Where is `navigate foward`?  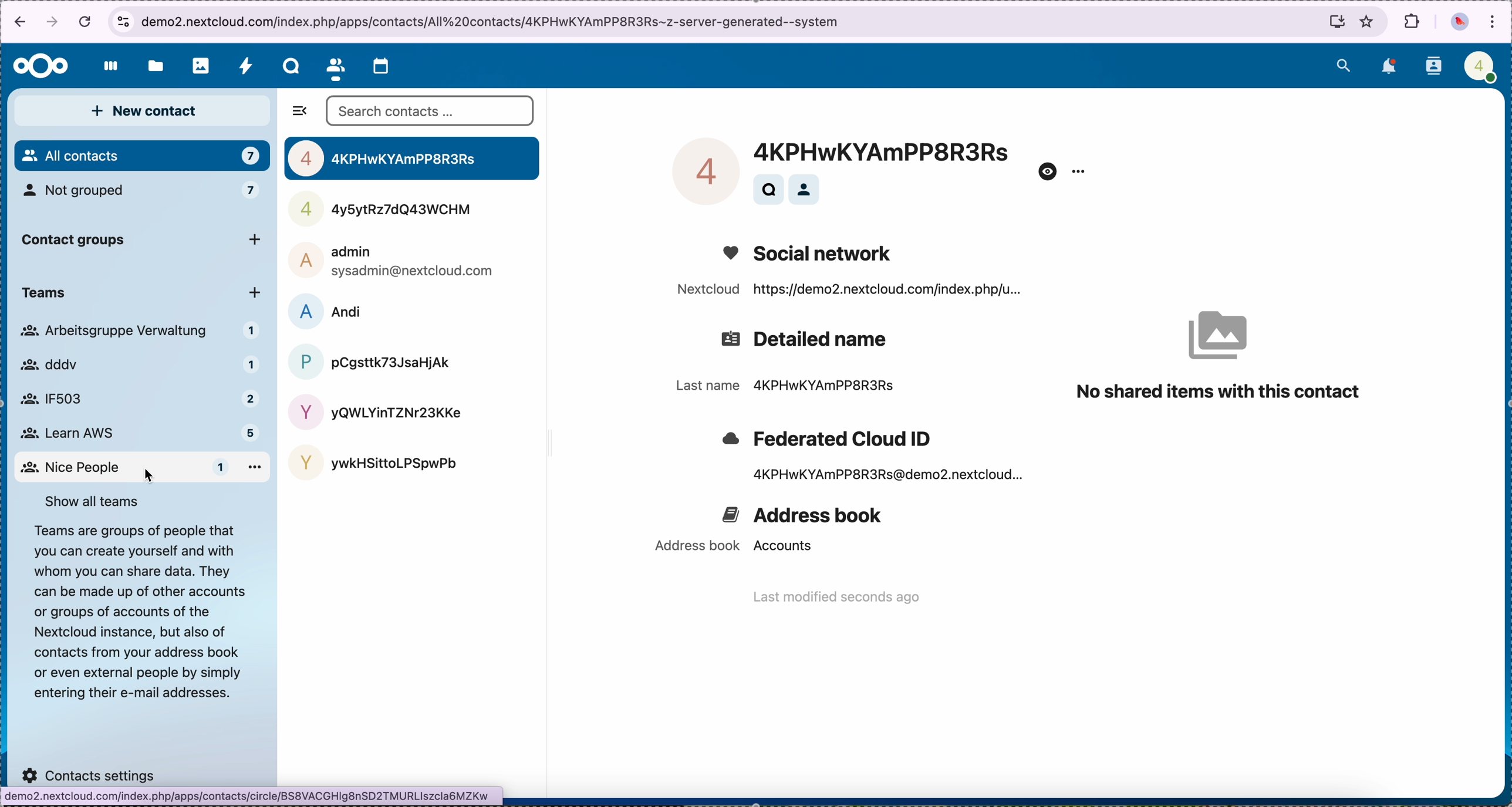 navigate foward is located at coordinates (55, 23).